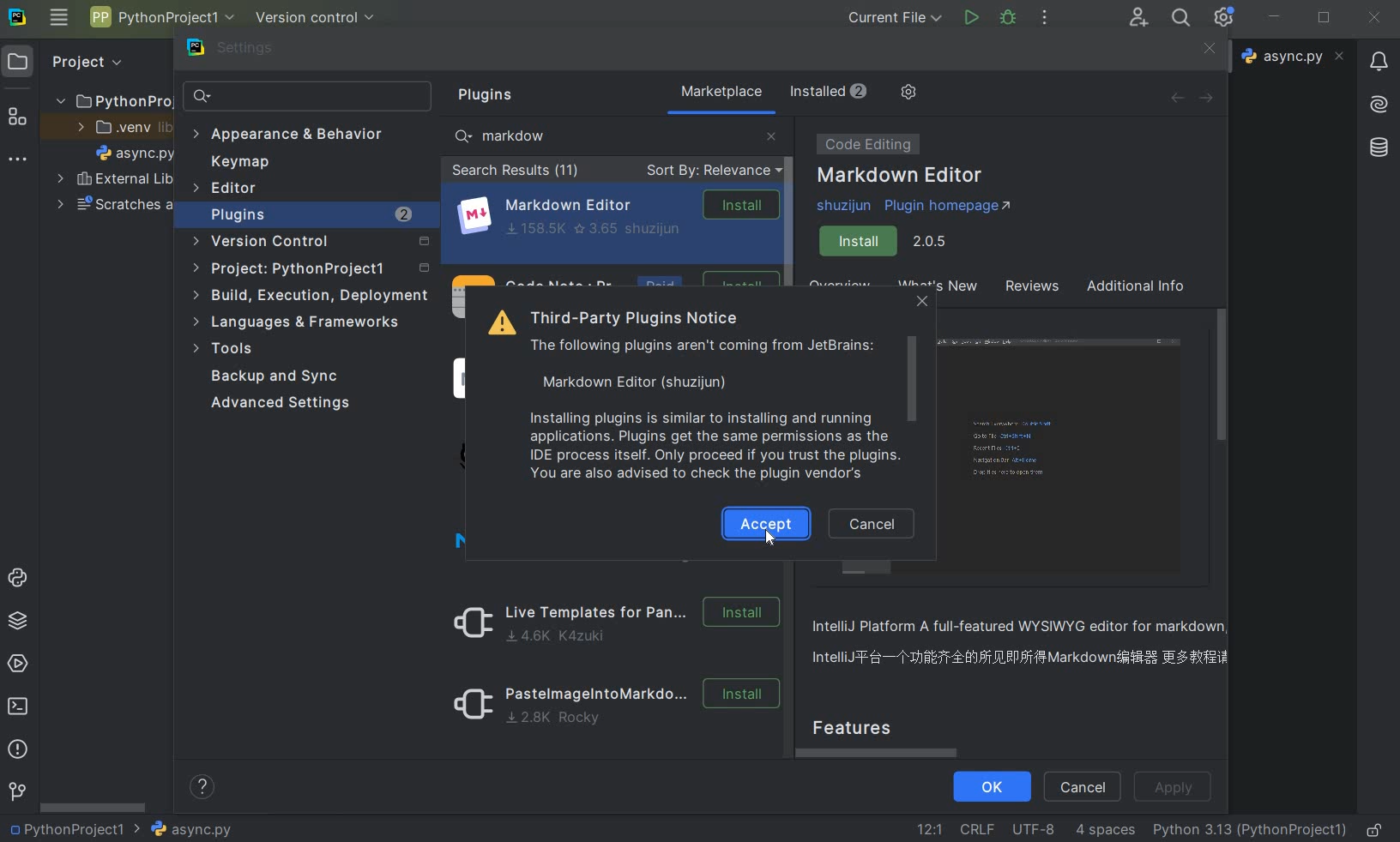  I want to click on apply, so click(1176, 788).